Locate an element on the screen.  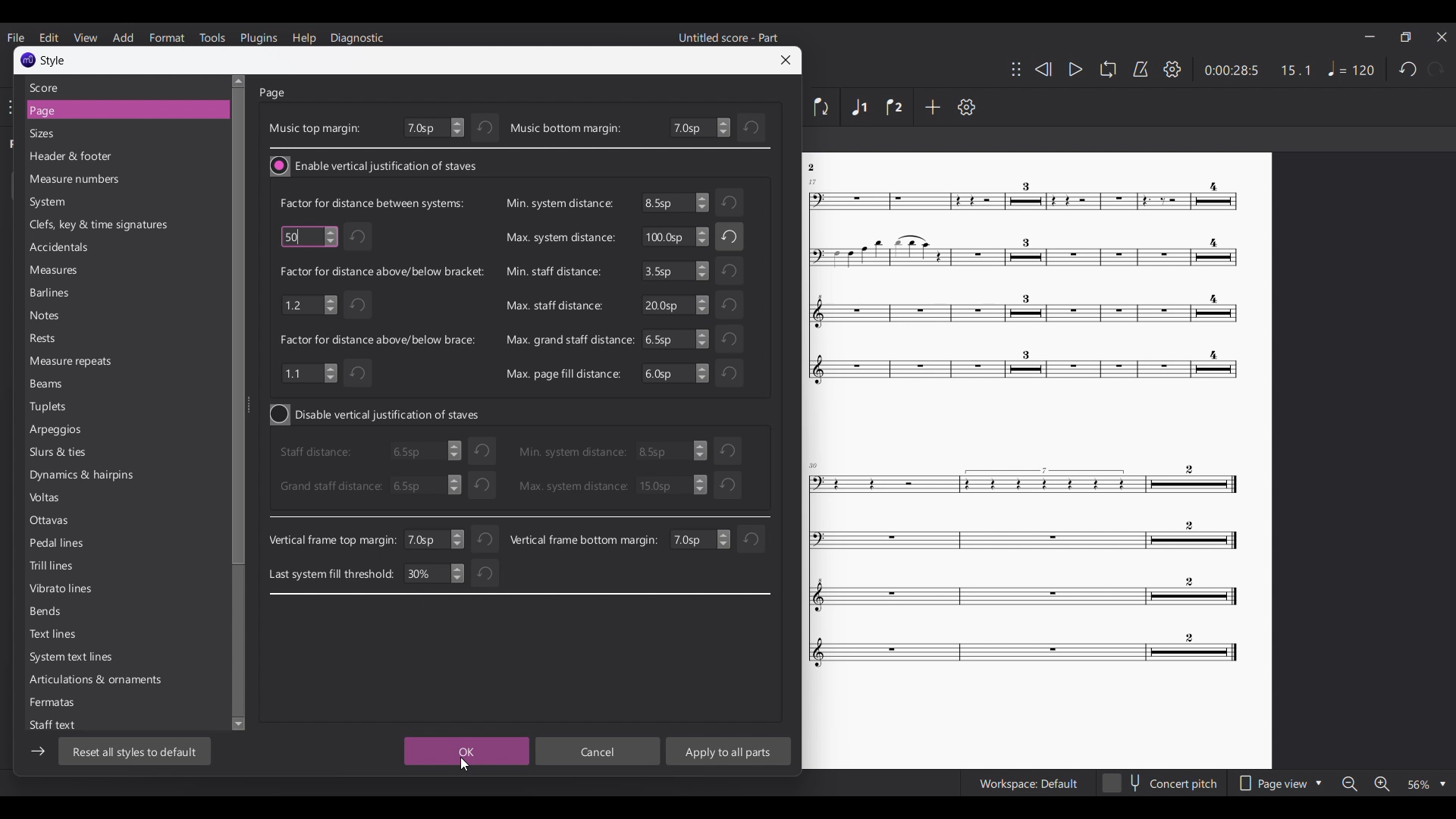
Undo is located at coordinates (486, 536).